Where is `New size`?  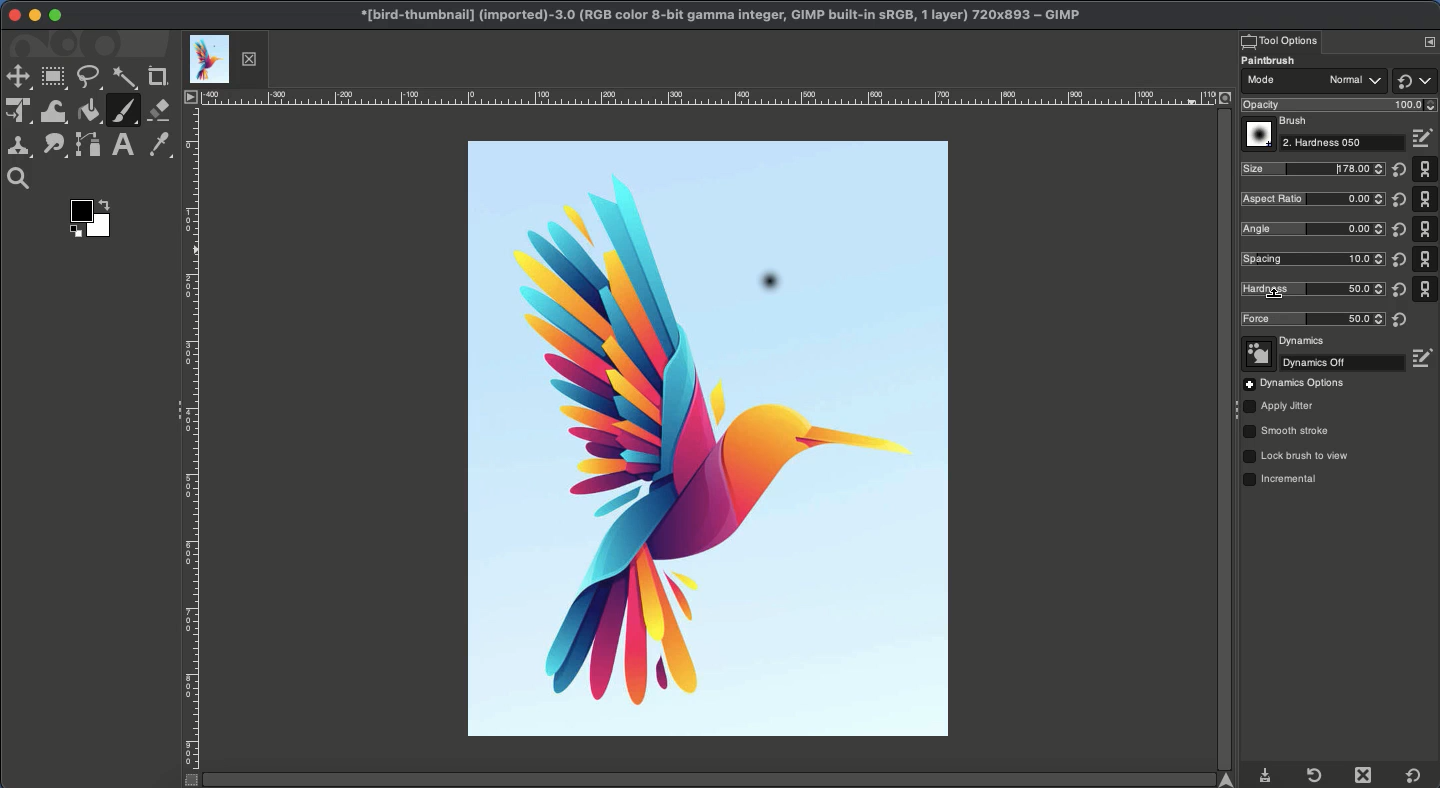 New size is located at coordinates (1314, 170).